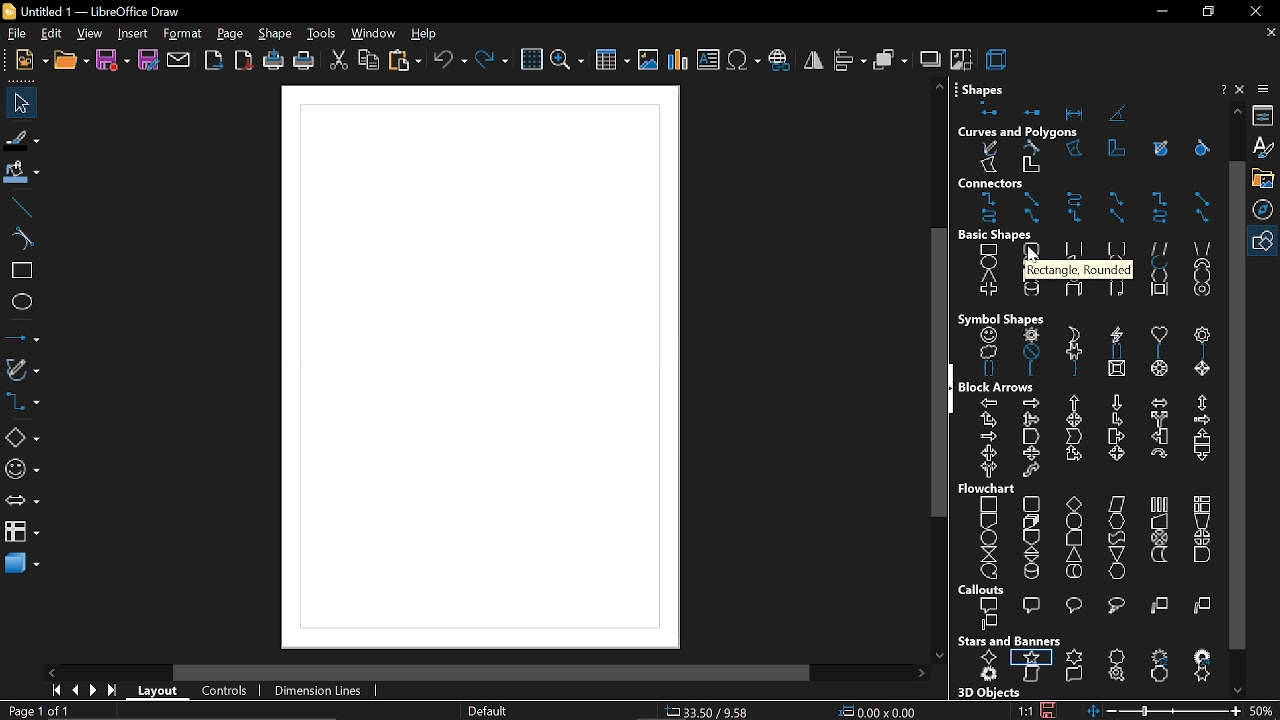 The height and width of the screenshot is (720, 1280). Describe the element at coordinates (877, 712) in the screenshot. I see `position` at that location.